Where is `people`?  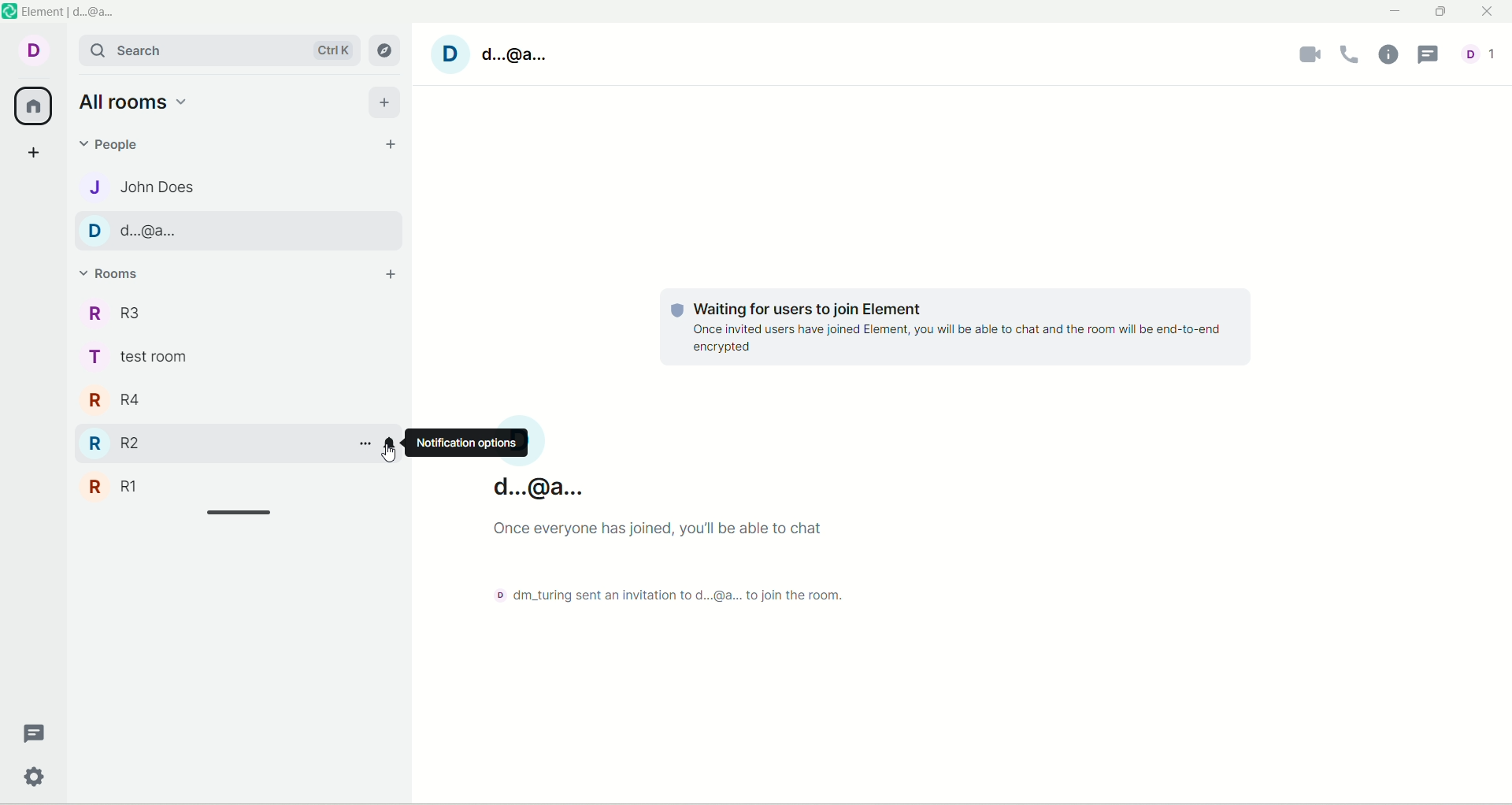
people is located at coordinates (1484, 54).